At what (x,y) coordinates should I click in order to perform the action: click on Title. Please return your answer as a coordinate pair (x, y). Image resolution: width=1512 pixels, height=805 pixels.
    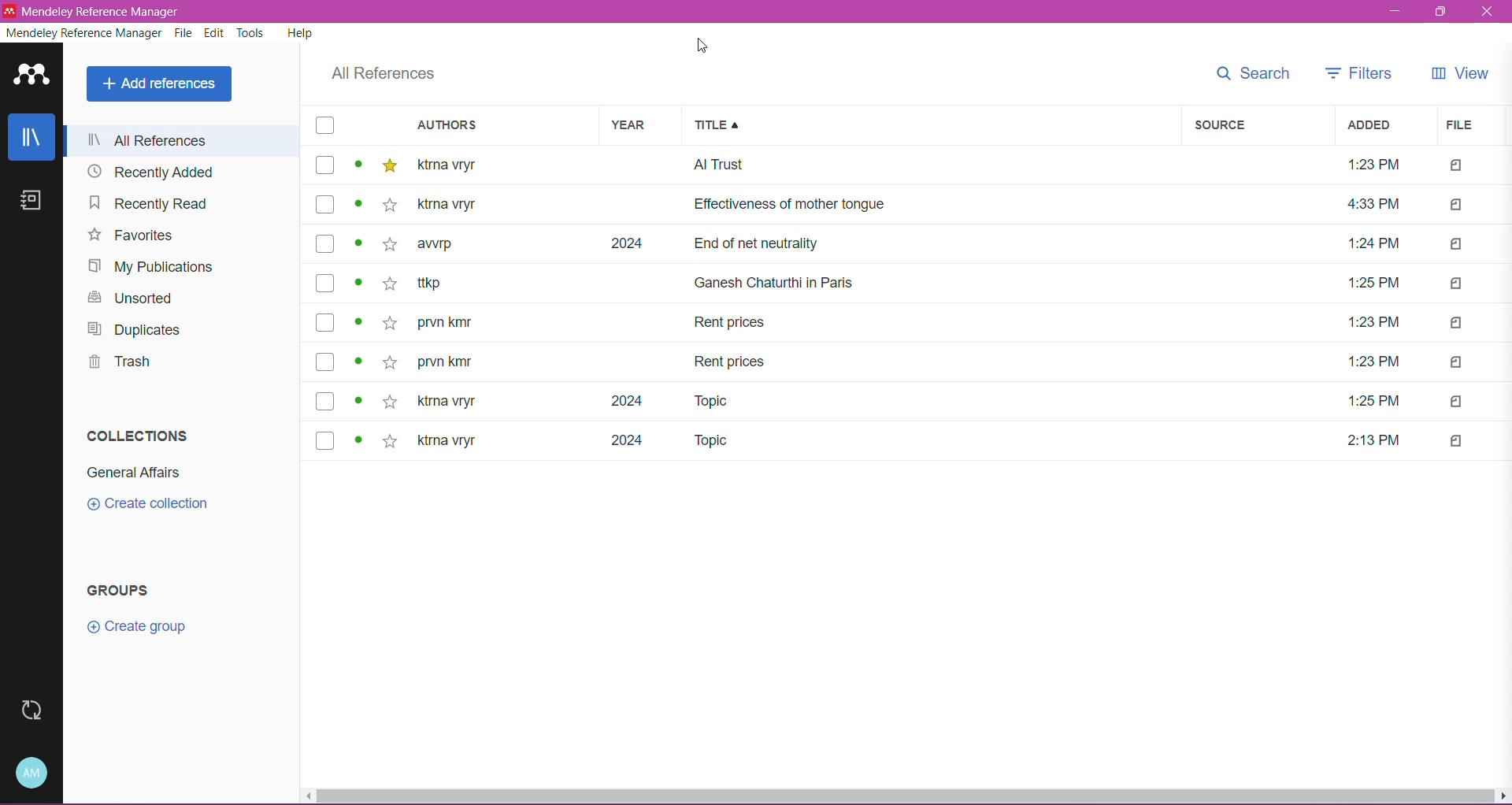
    Looking at the image, I should click on (934, 125).